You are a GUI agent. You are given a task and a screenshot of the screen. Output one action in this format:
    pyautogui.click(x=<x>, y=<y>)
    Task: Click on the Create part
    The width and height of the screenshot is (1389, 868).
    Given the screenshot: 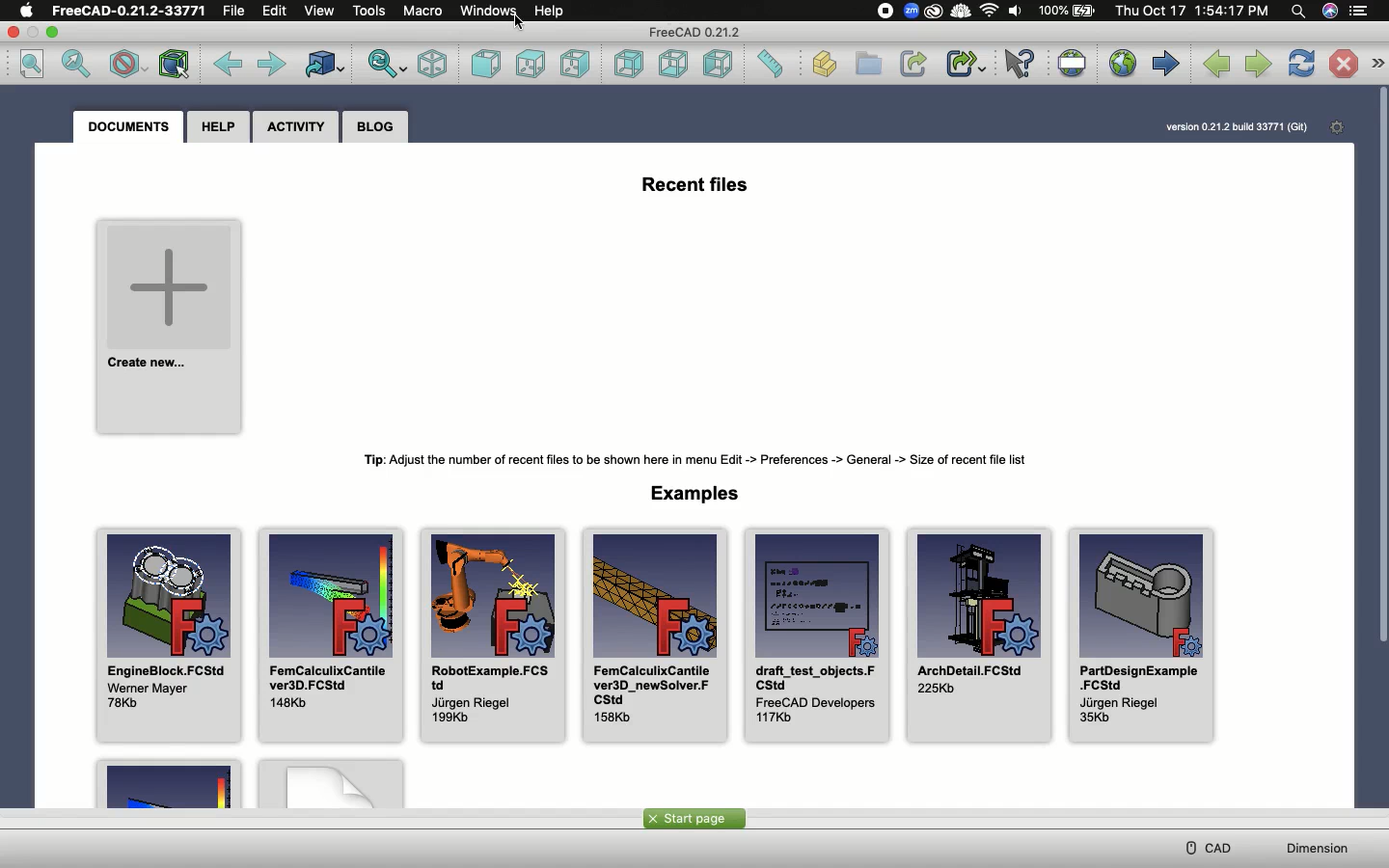 What is the action you would take?
    pyautogui.click(x=826, y=66)
    